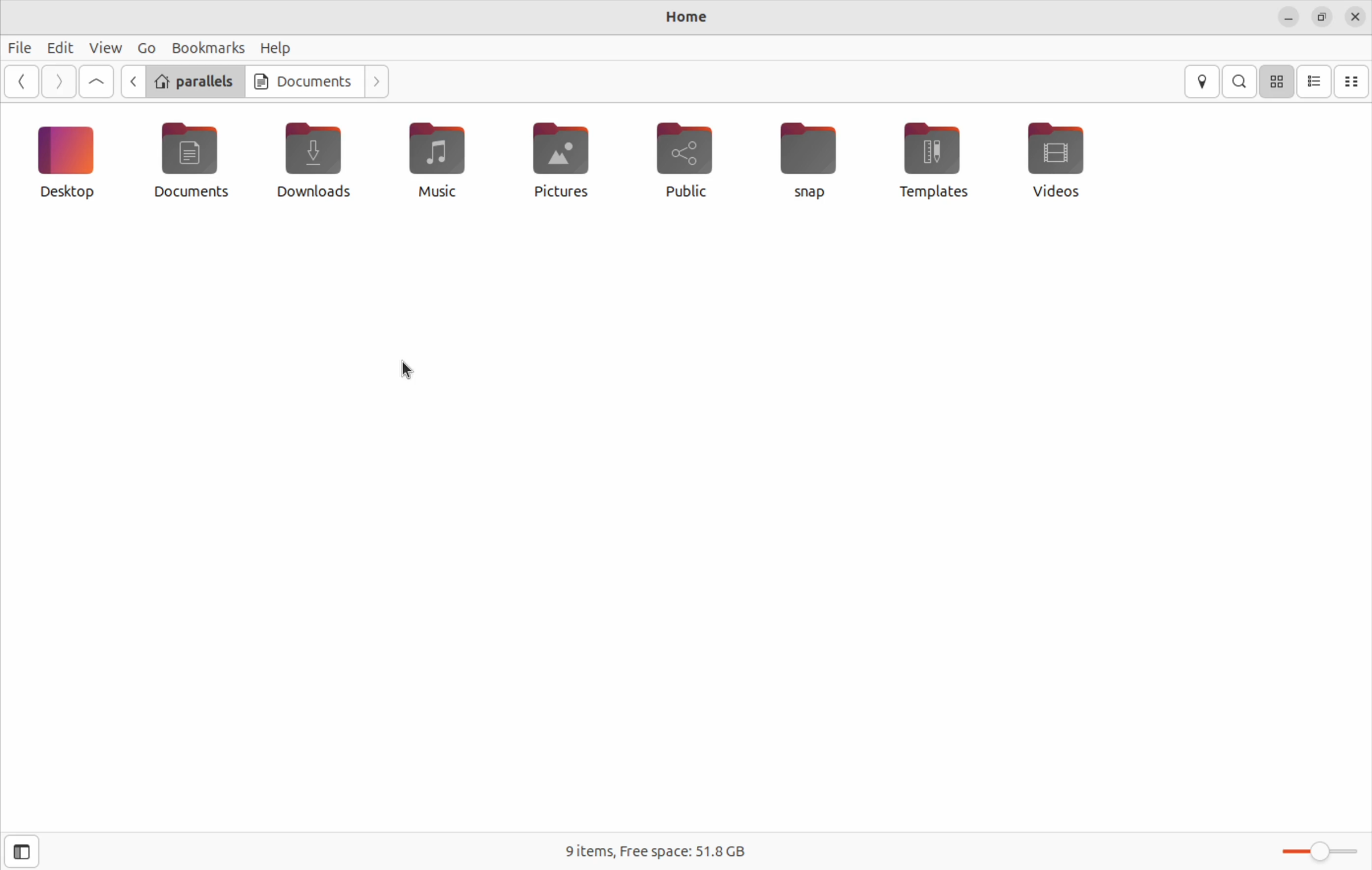 Image resolution: width=1372 pixels, height=870 pixels. I want to click on view, so click(105, 48).